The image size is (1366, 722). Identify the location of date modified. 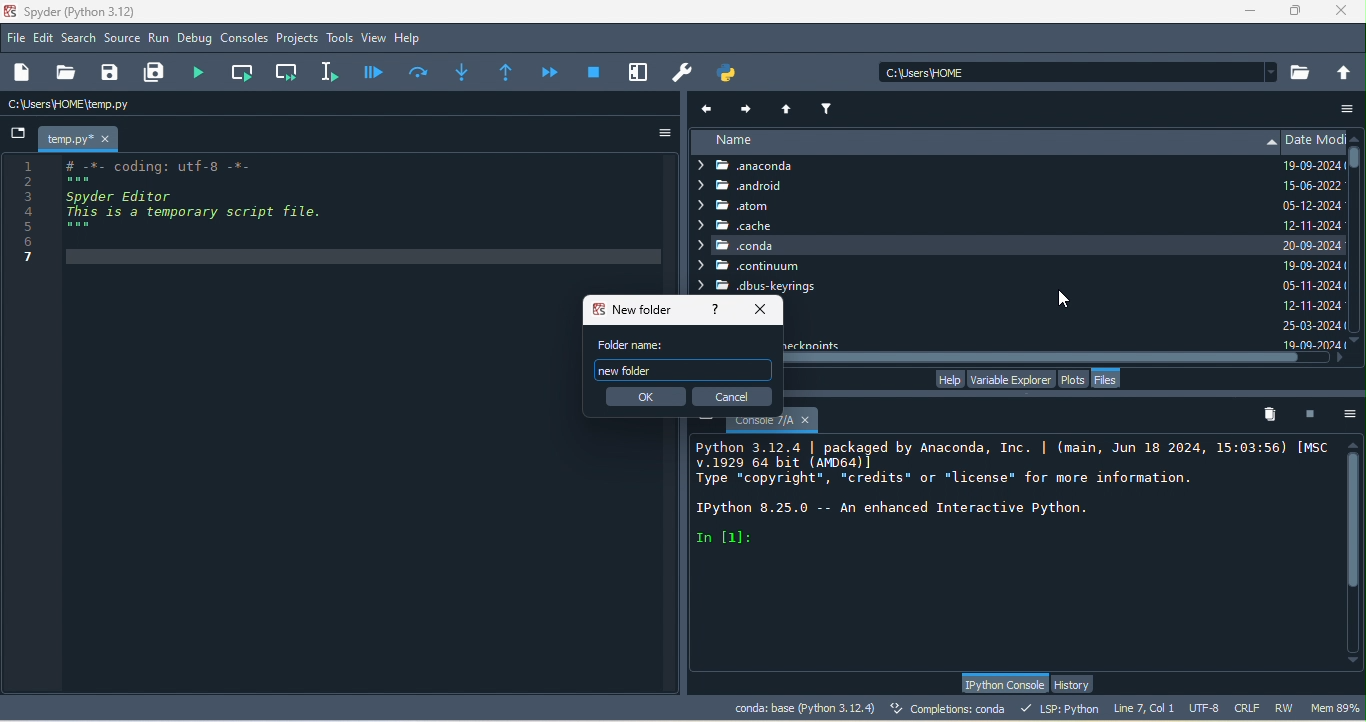
(1314, 240).